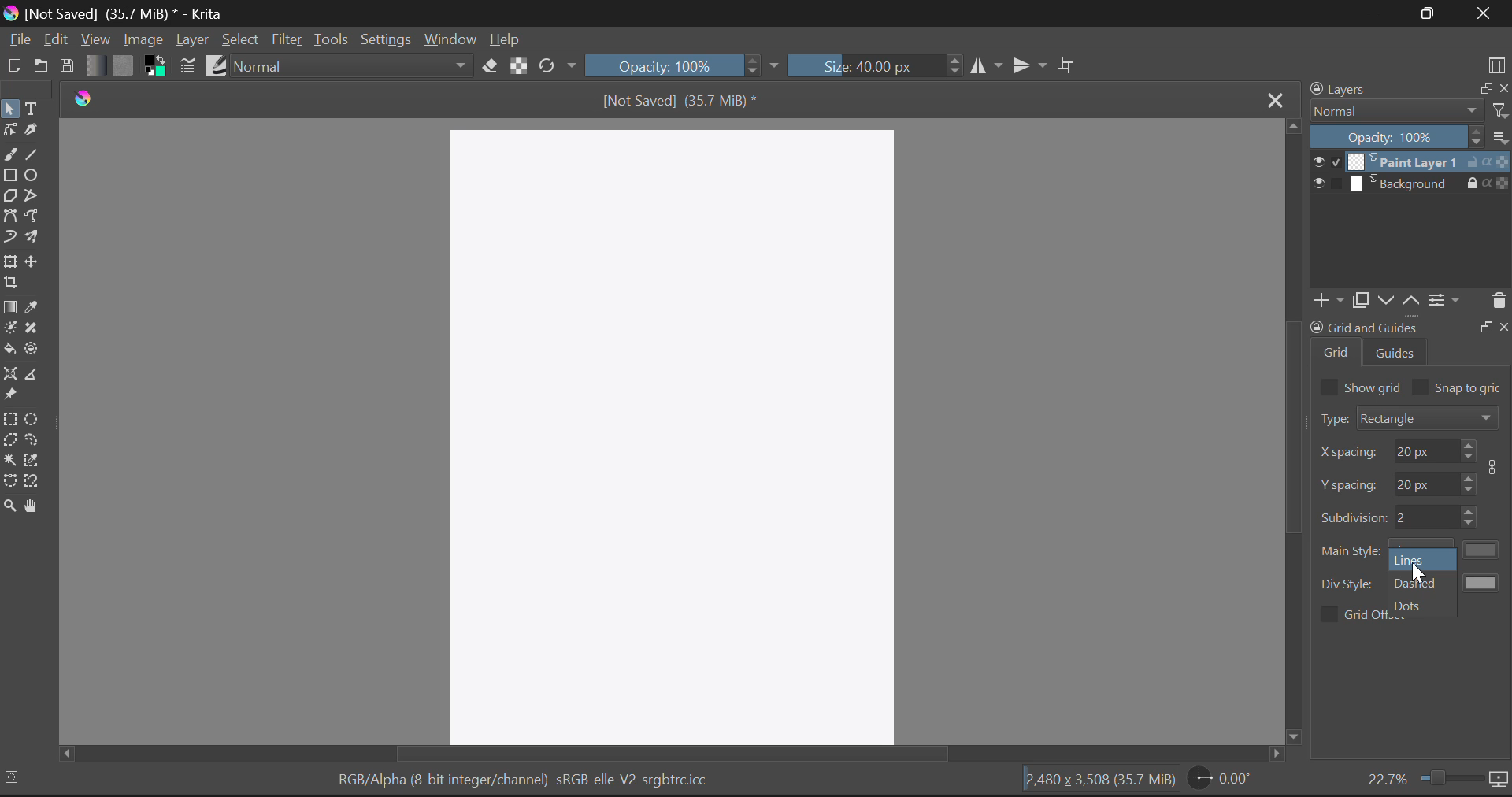 This screenshot has width=1512, height=797. I want to click on Cursor Position, so click(1416, 573).